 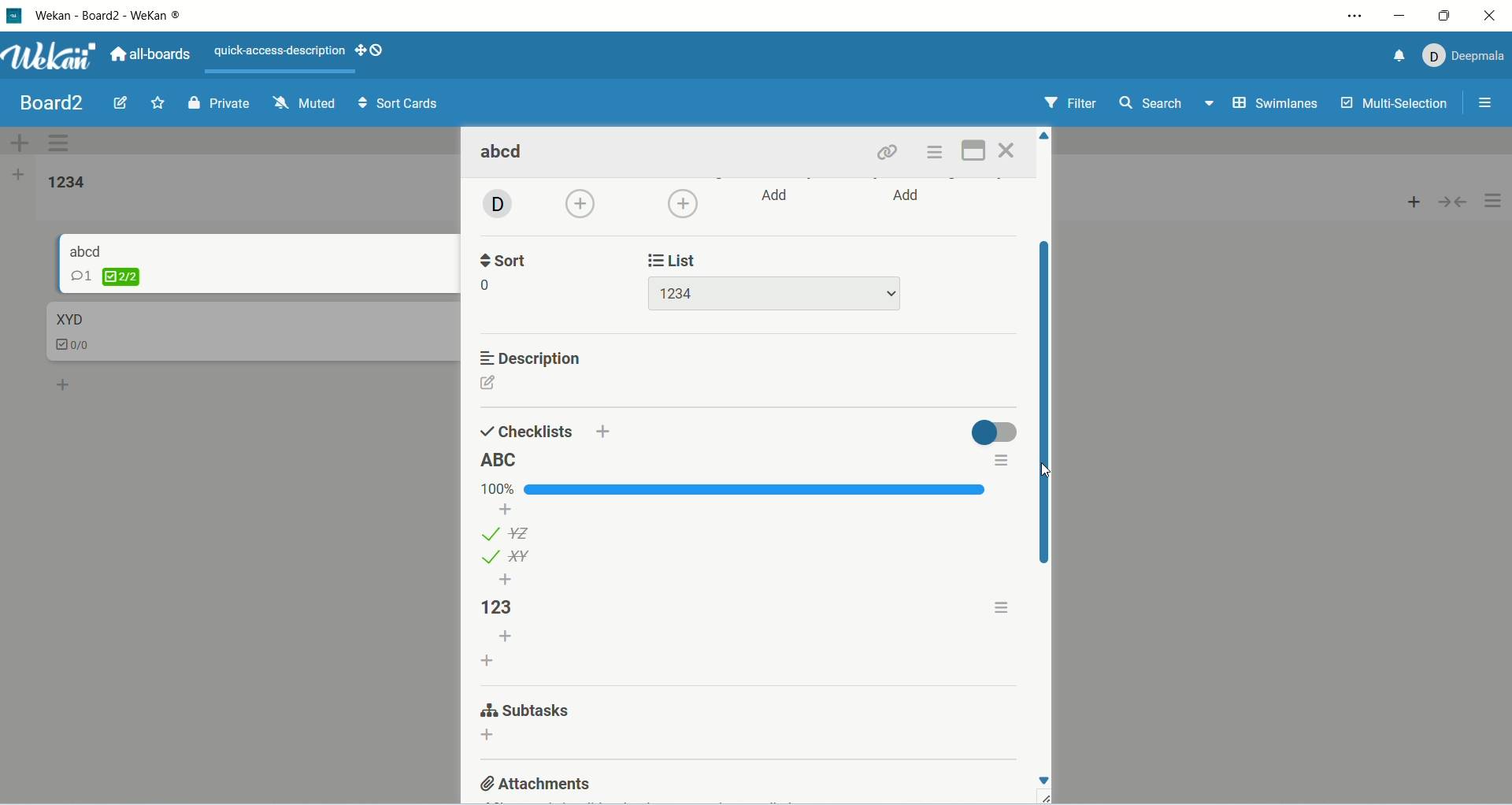 I want to click on settings and more, so click(x=1354, y=17).